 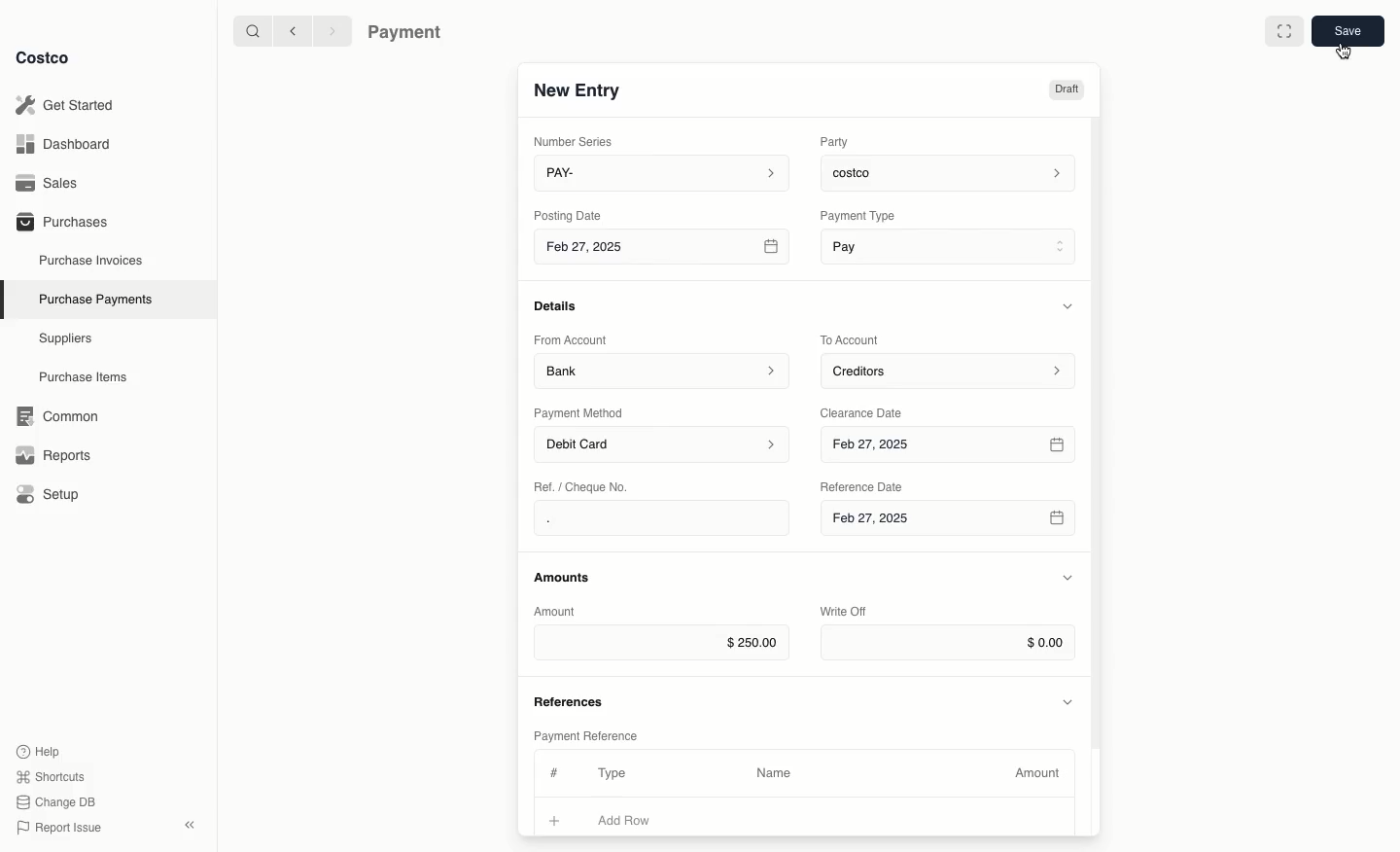 I want to click on Feb 27, 2025, so click(x=947, y=523).